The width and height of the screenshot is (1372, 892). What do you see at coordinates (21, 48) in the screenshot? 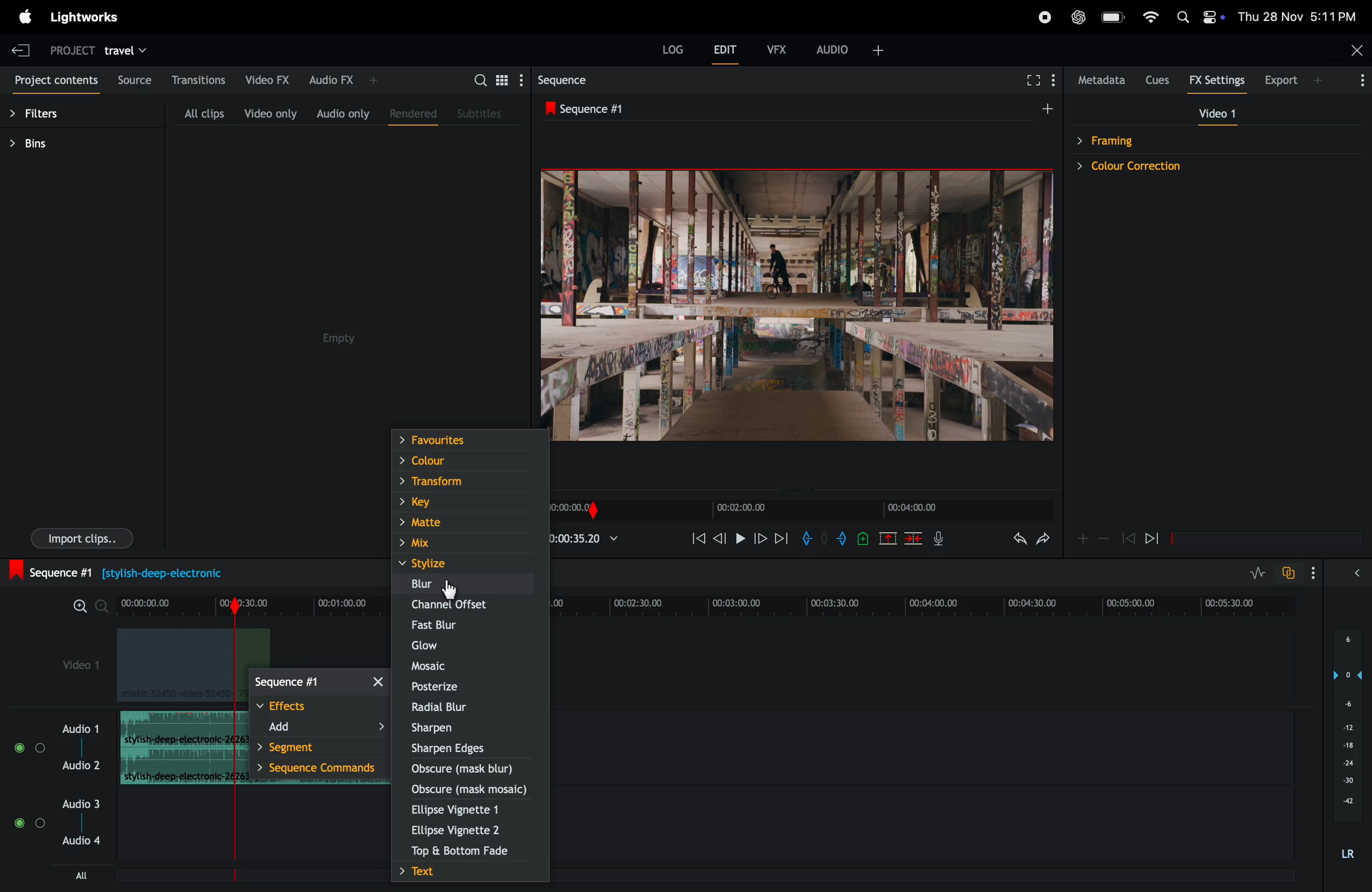
I see `exit` at bounding box center [21, 48].